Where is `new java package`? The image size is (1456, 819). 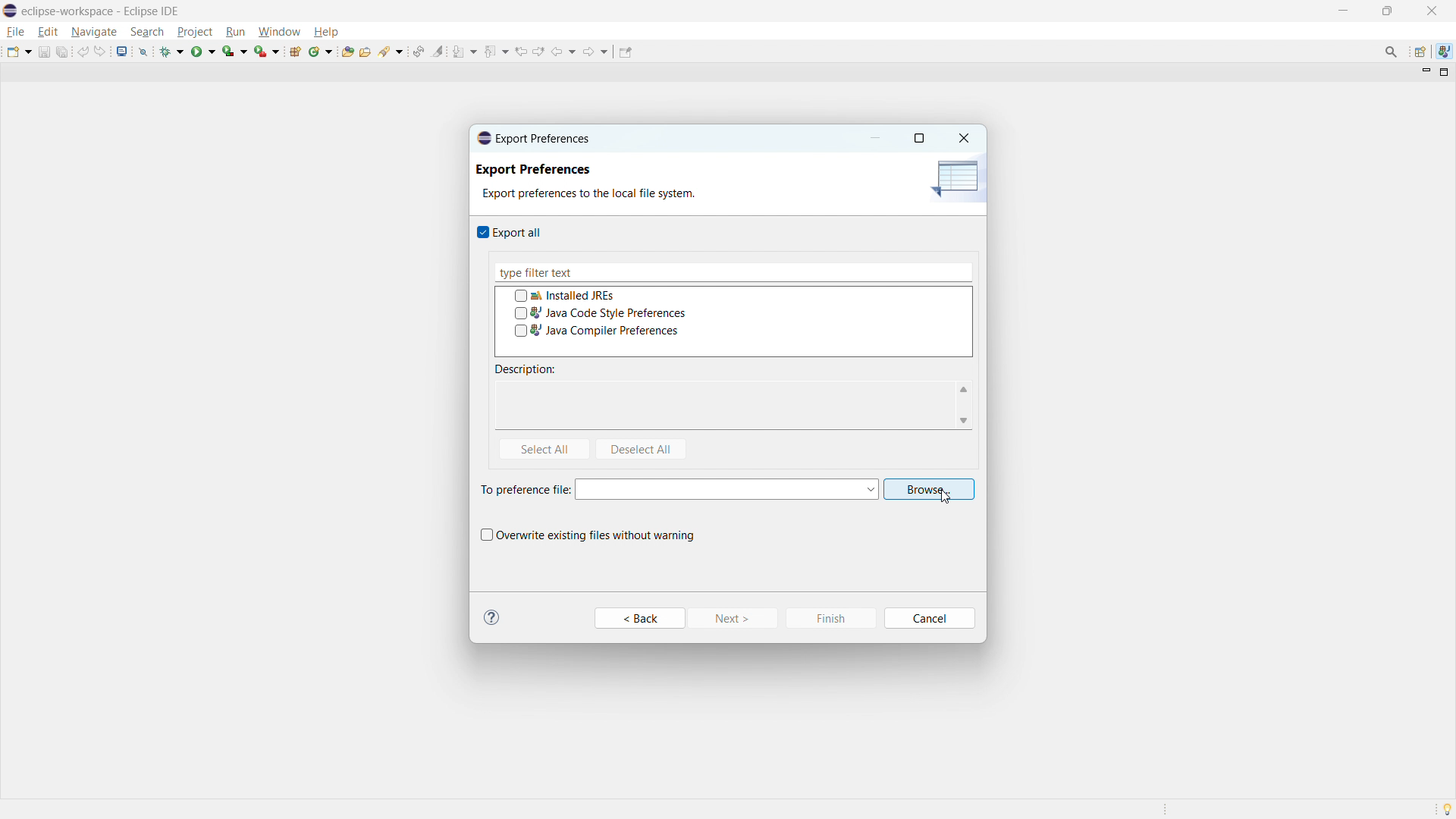 new java package is located at coordinates (295, 51).